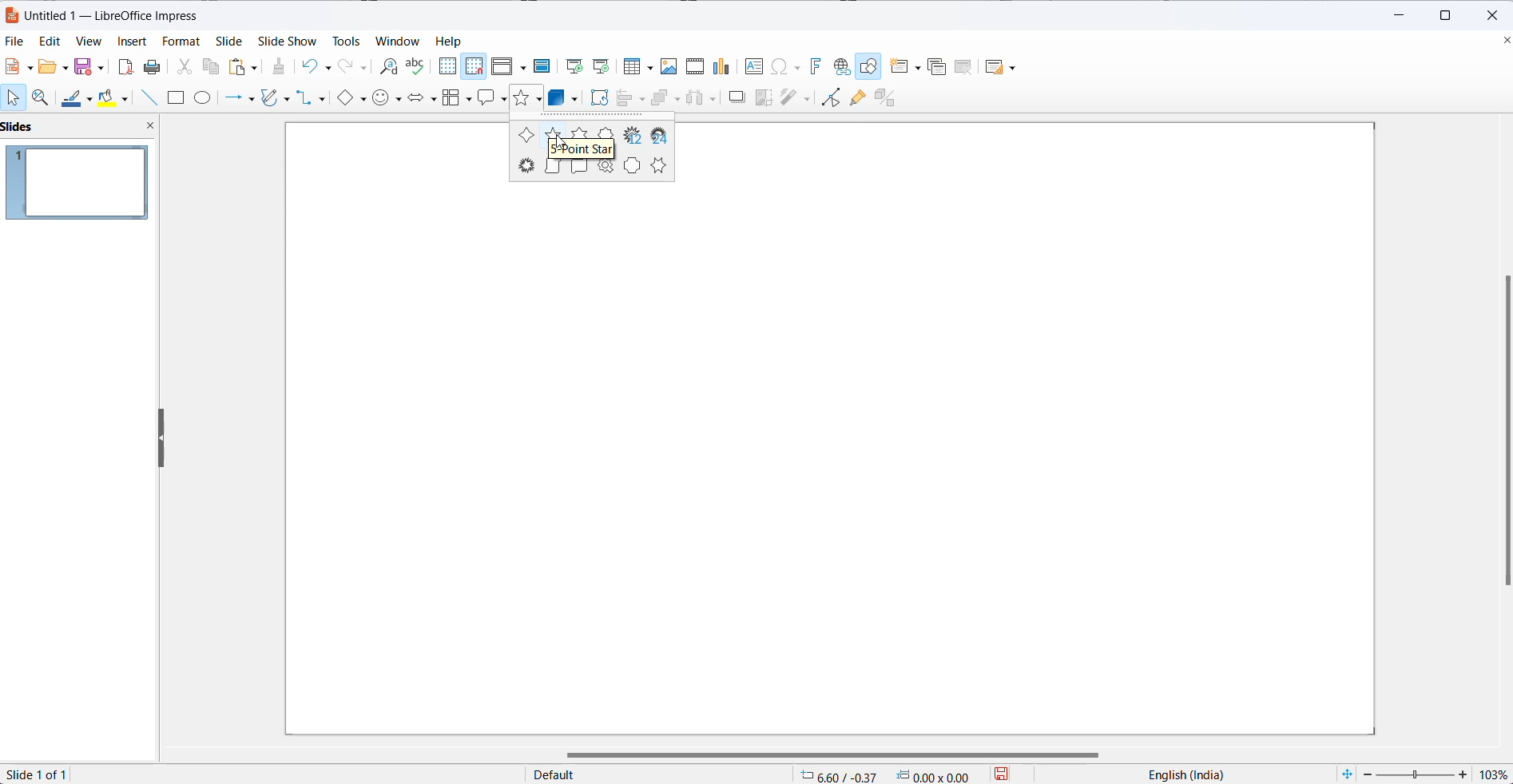 The height and width of the screenshot is (784, 1513). What do you see at coordinates (633, 133) in the screenshot?
I see `12 point star` at bounding box center [633, 133].